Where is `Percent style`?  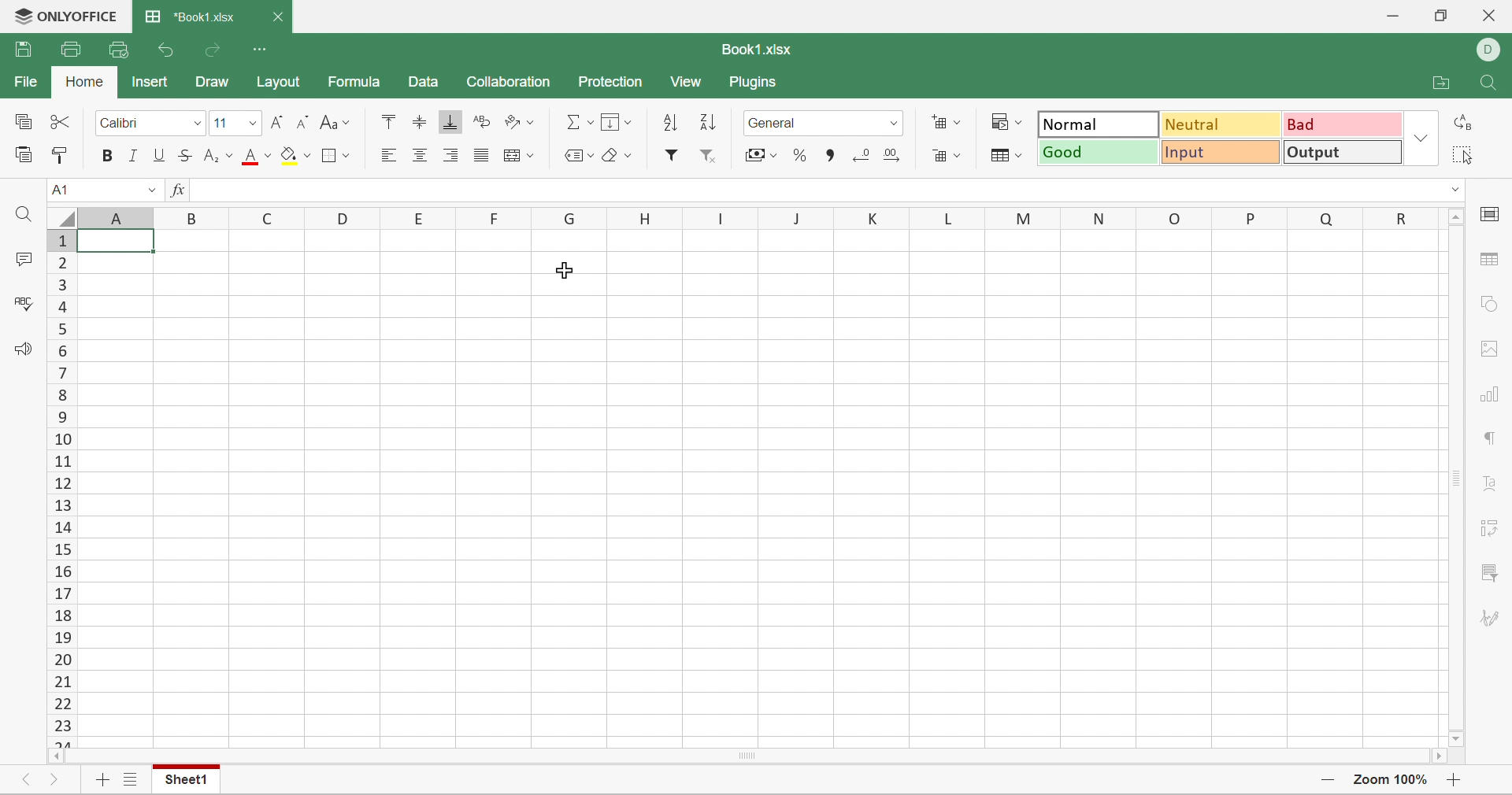 Percent style is located at coordinates (801, 157).